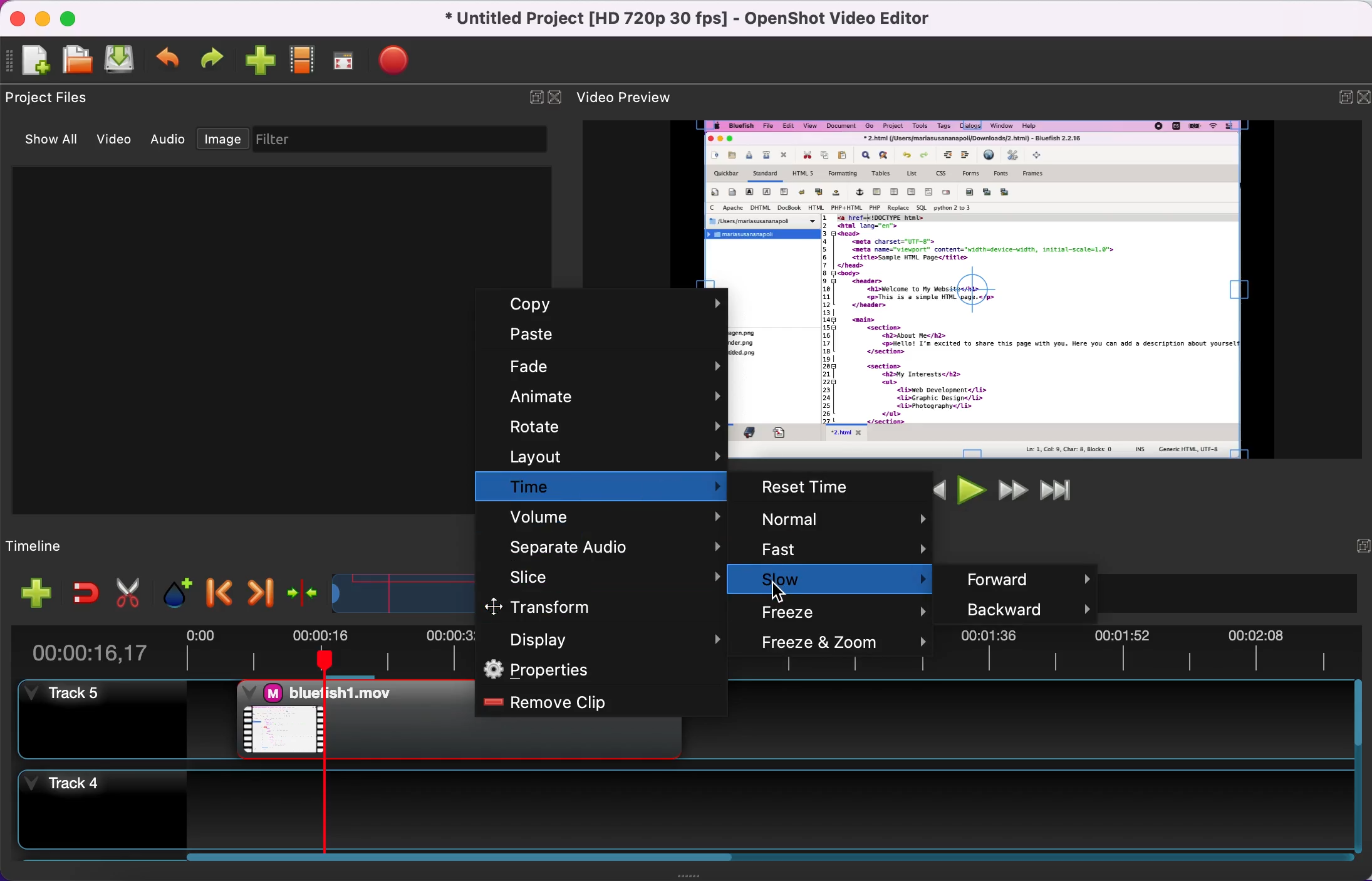  Describe the element at coordinates (605, 365) in the screenshot. I see `fade` at that location.